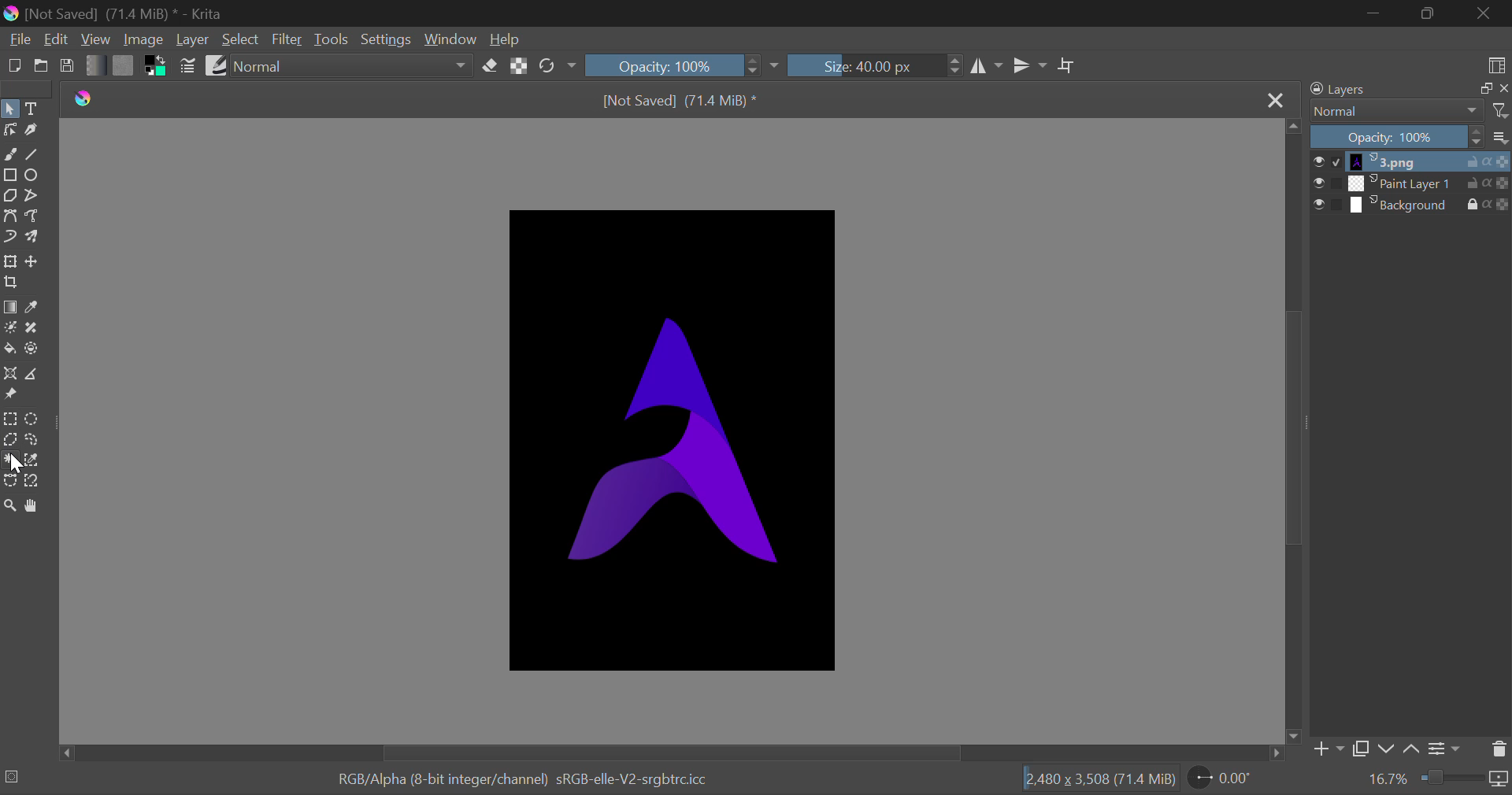 This screenshot has height=795, width=1512. What do you see at coordinates (1376, 14) in the screenshot?
I see `Restore Down` at bounding box center [1376, 14].